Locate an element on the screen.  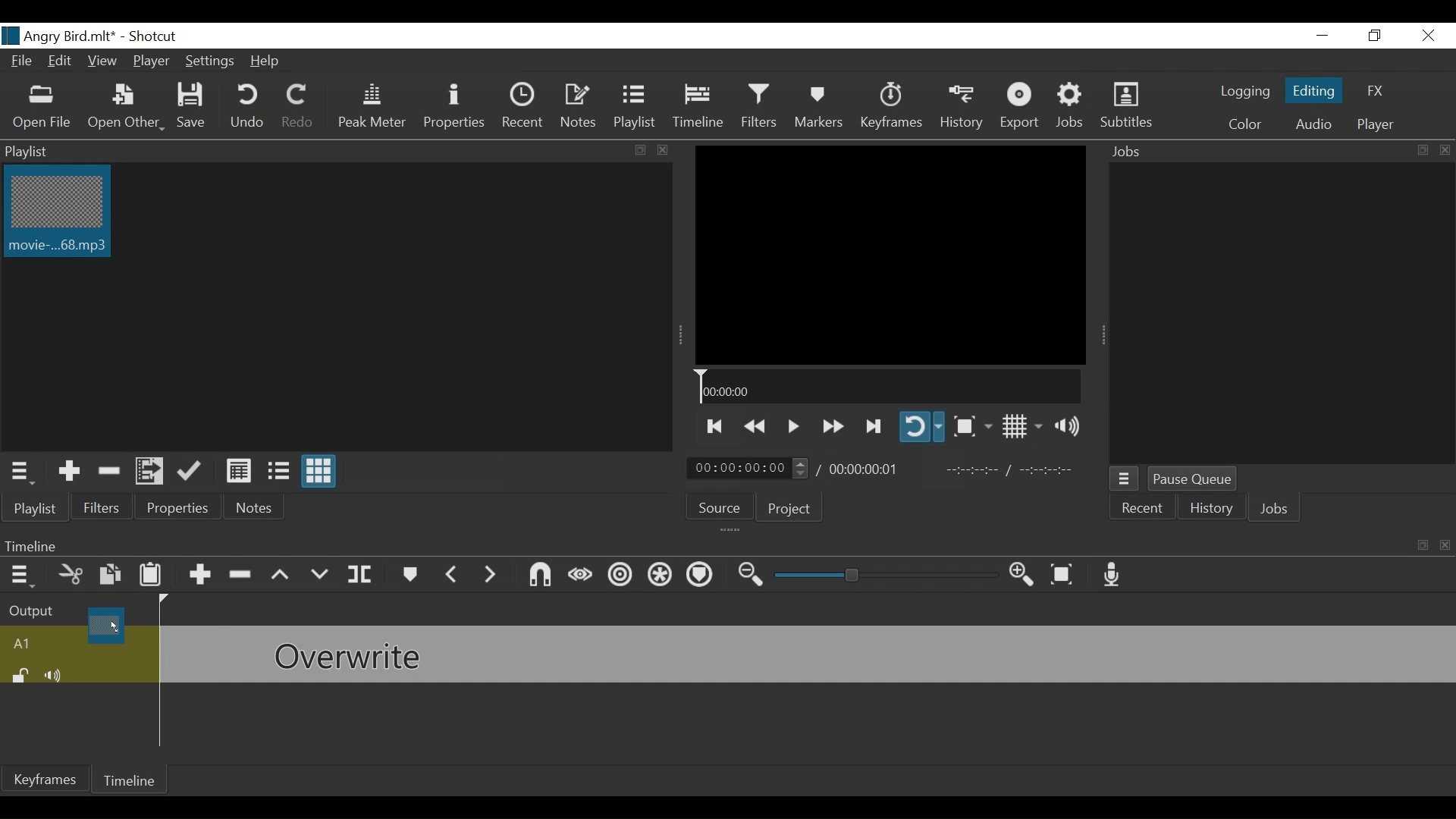
Zoom to fit is located at coordinates (1064, 574).